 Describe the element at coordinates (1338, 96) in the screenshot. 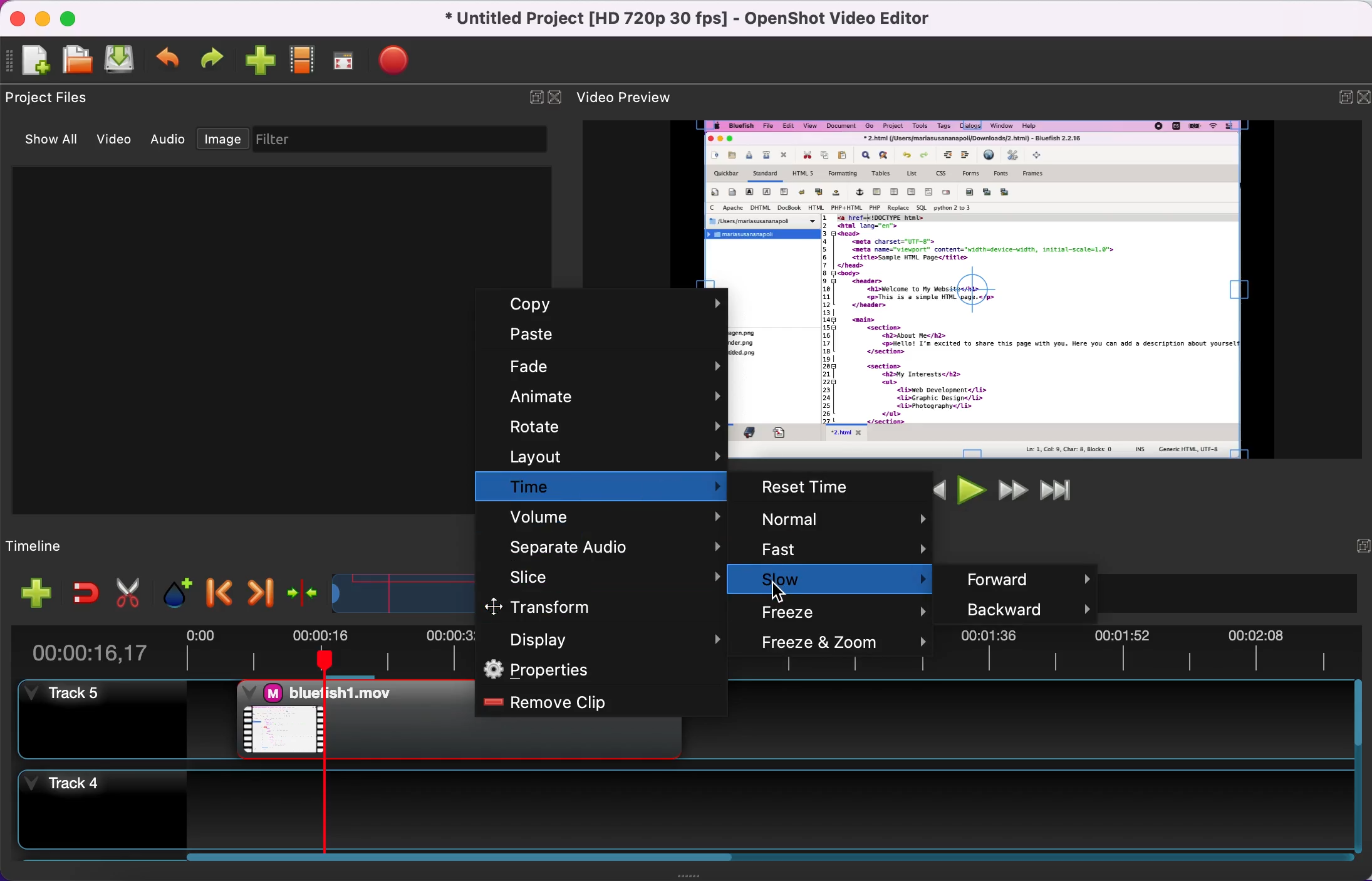

I see `expand/hide` at that location.